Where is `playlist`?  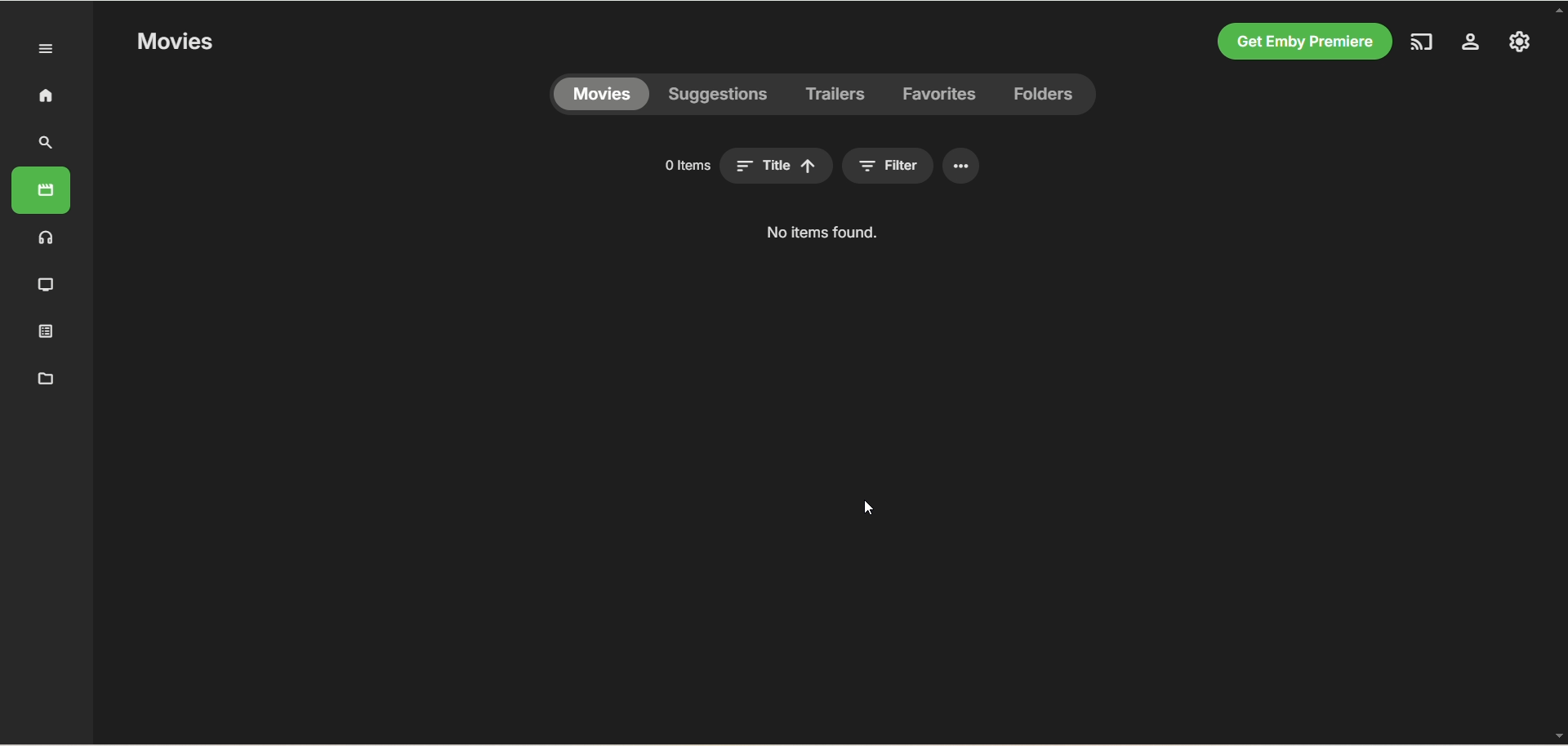 playlist is located at coordinates (47, 330).